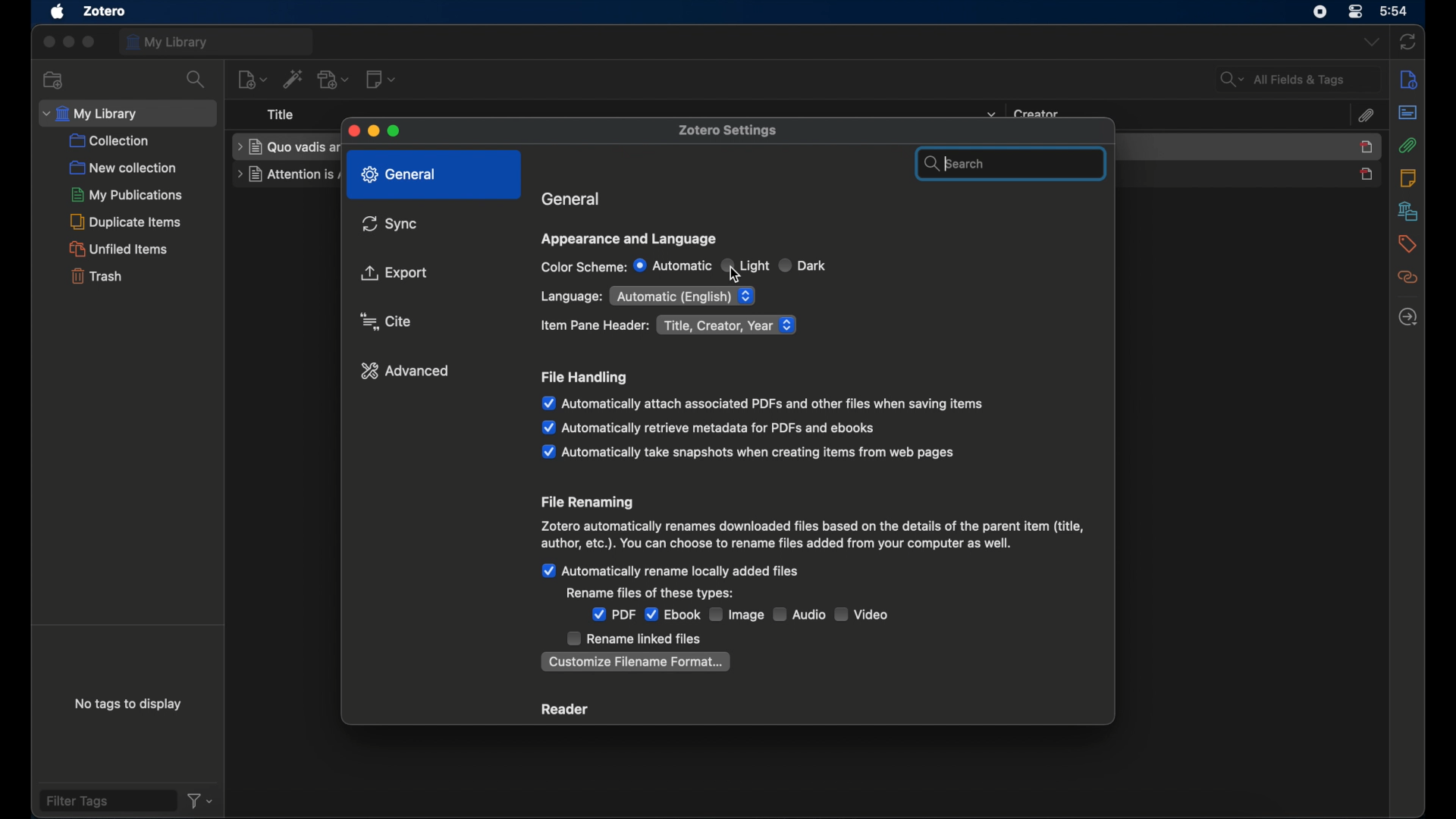 The height and width of the screenshot is (819, 1456). I want to click on tags, so click(1406, 244).